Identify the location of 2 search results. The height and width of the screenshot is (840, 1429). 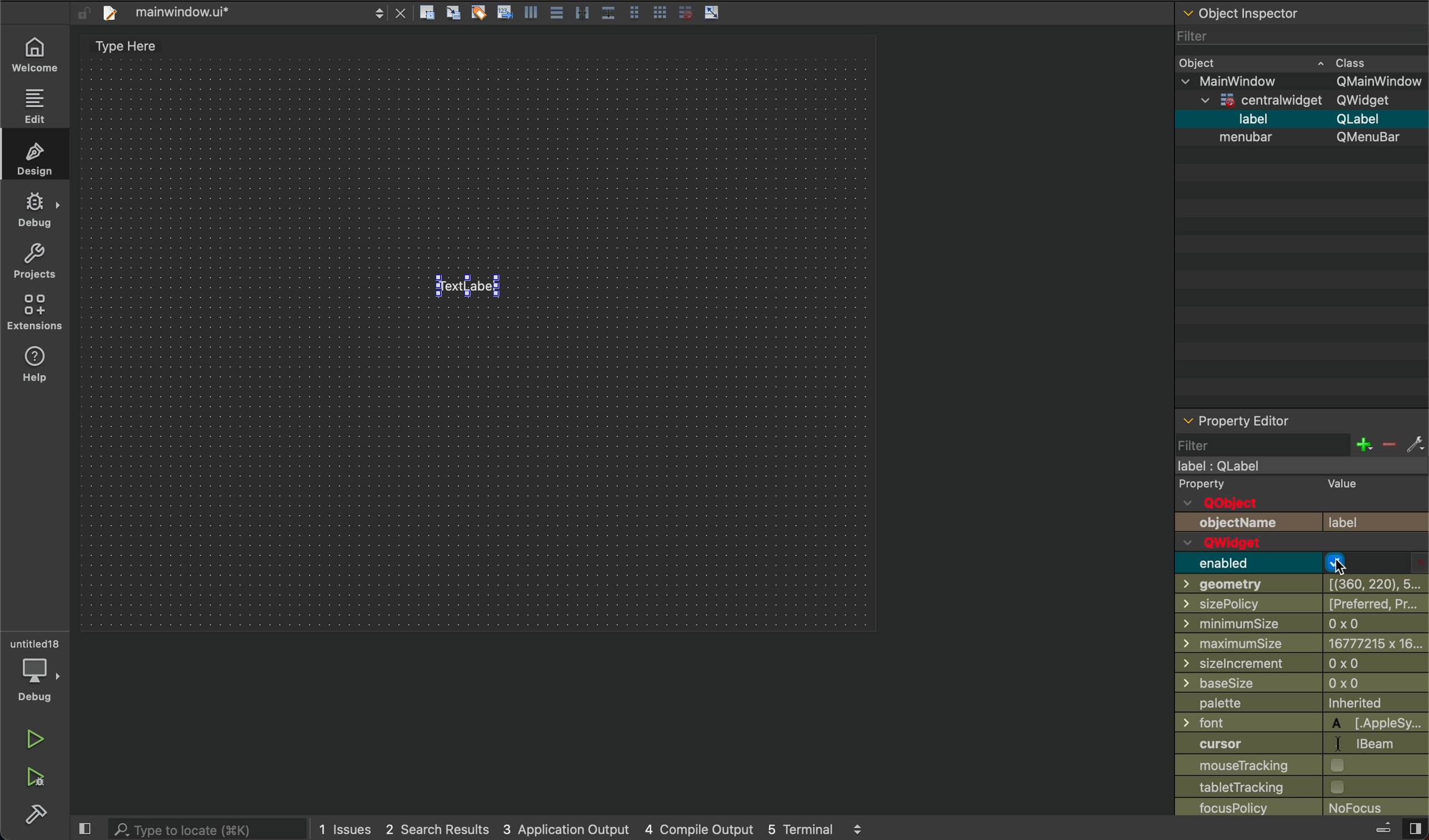
(435, 825).